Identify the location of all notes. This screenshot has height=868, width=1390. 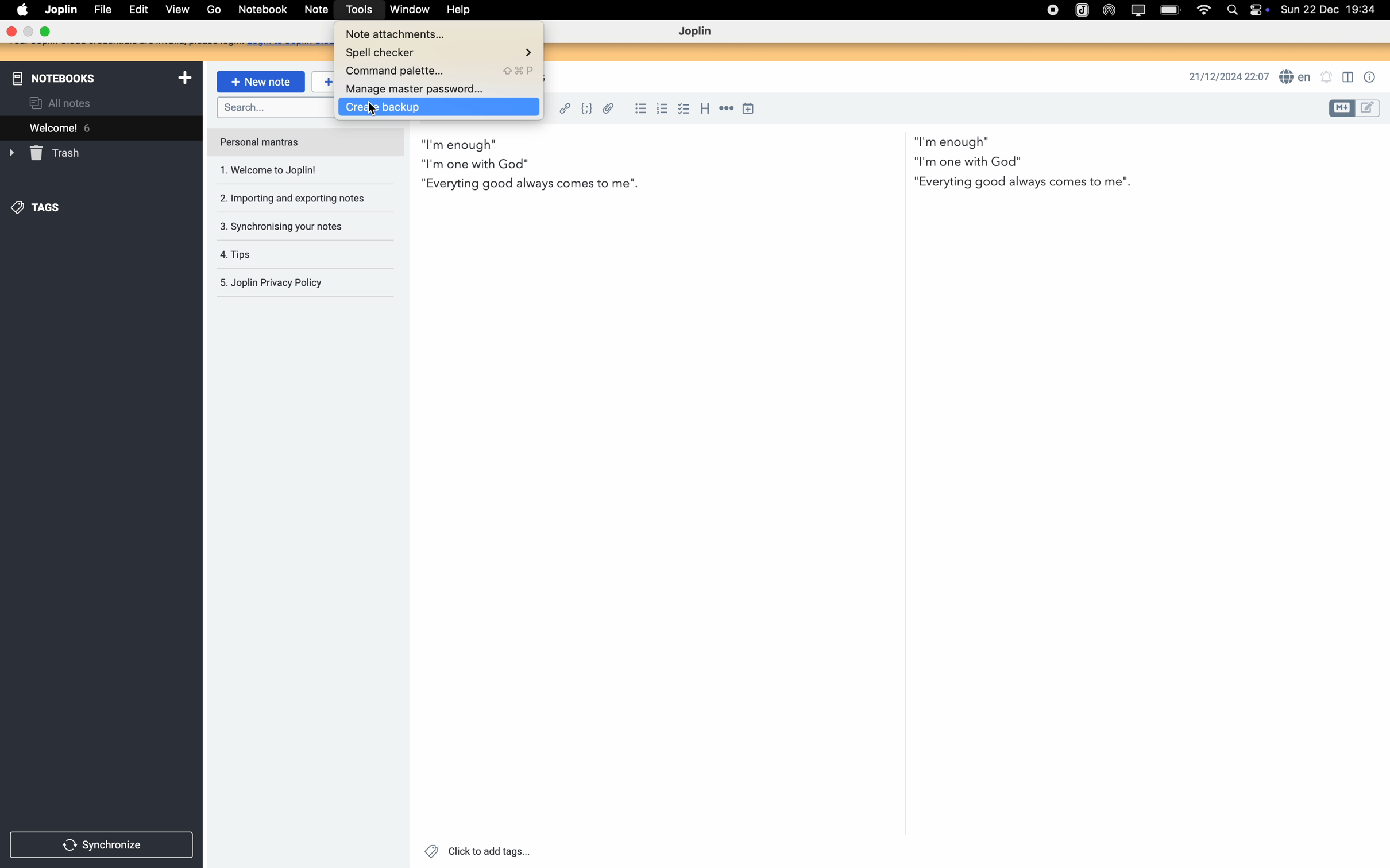
(61, 103).